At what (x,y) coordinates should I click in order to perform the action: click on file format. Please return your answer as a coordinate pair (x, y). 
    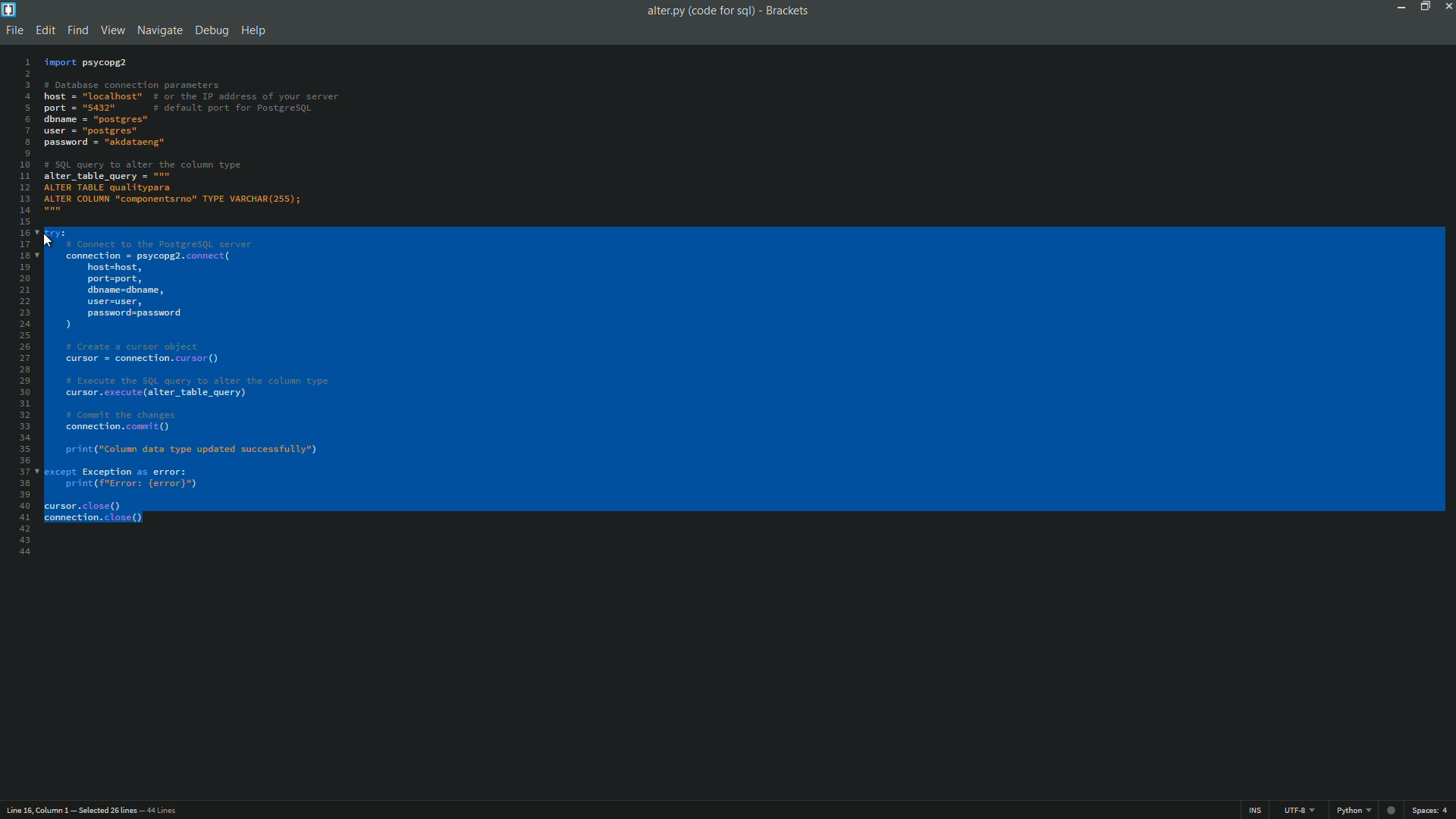
    Looking at the image, I should click on (1367, 811).